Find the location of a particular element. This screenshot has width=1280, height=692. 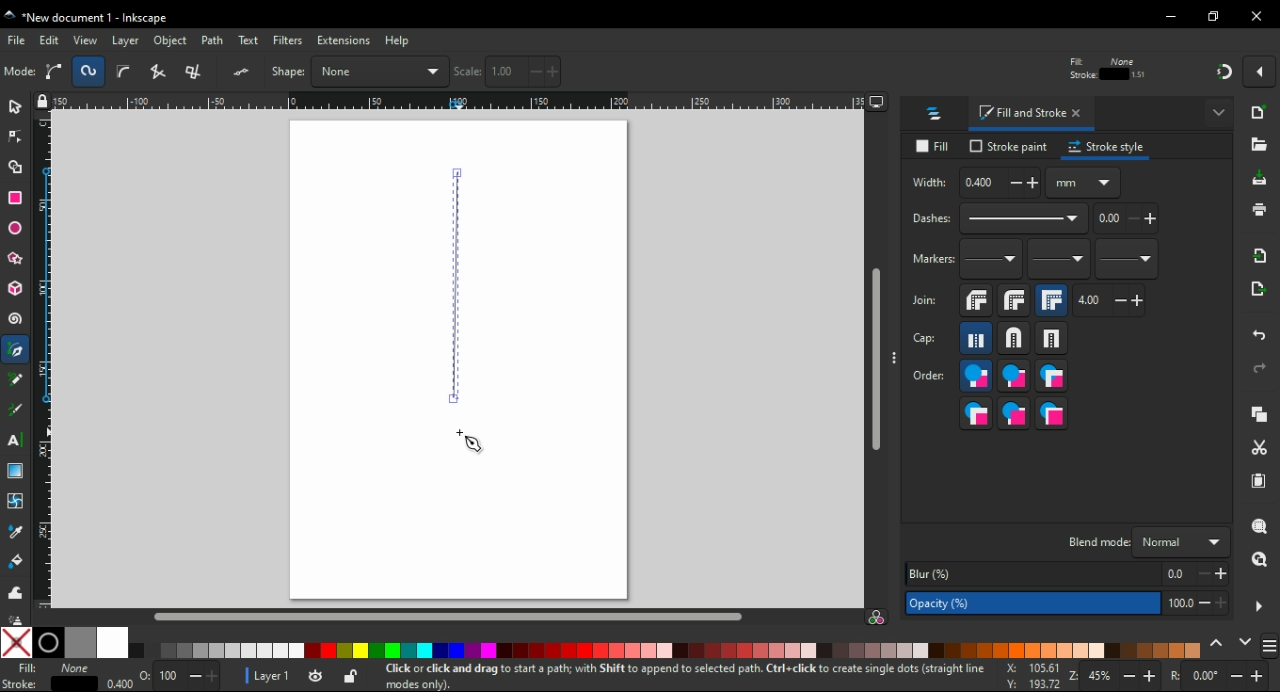

deselect is located at coordinates (91, 70).